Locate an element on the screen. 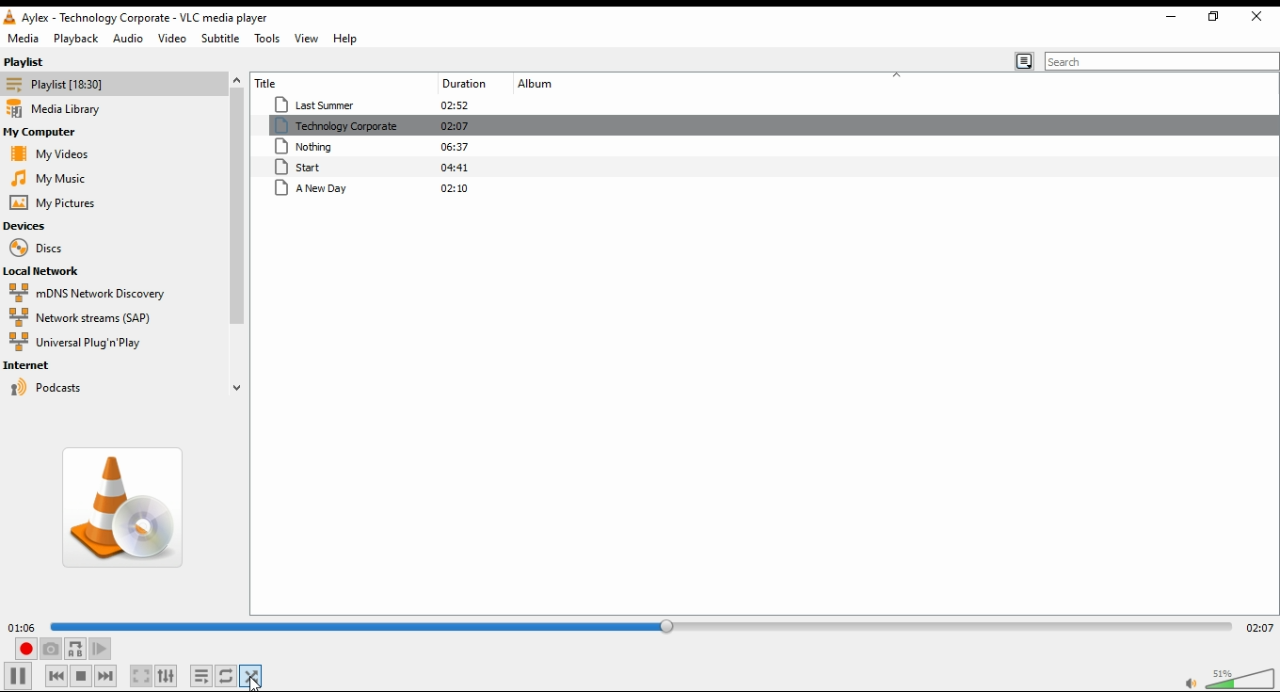 This screenshot has height=692, width=1280. my pictures is located at coordinates (58, 203).